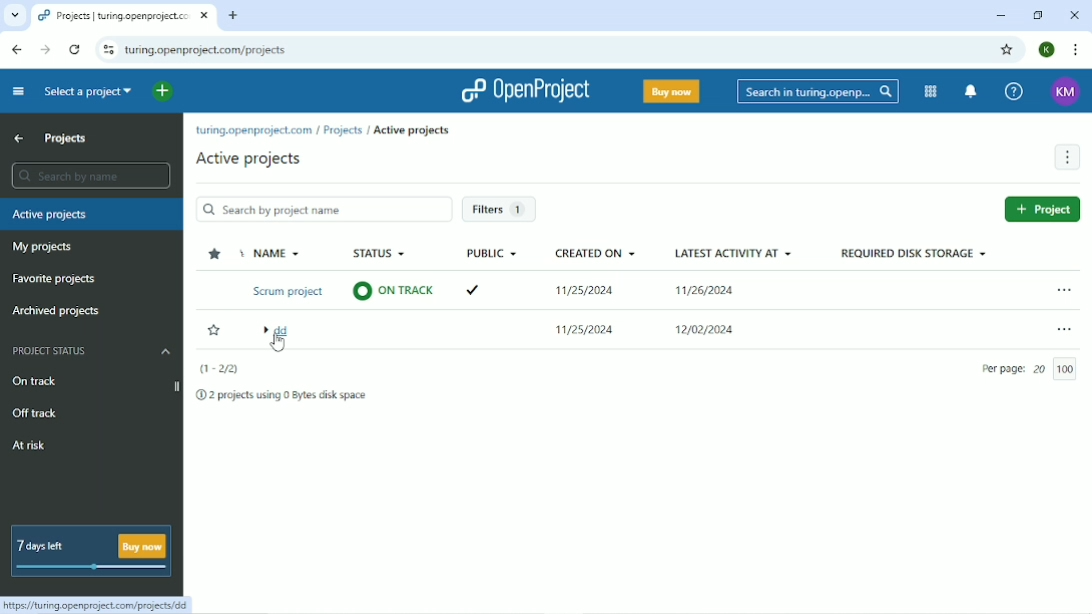 This screenshot has height=614, width=1092. I want to click on Project, so click(1043, 209).